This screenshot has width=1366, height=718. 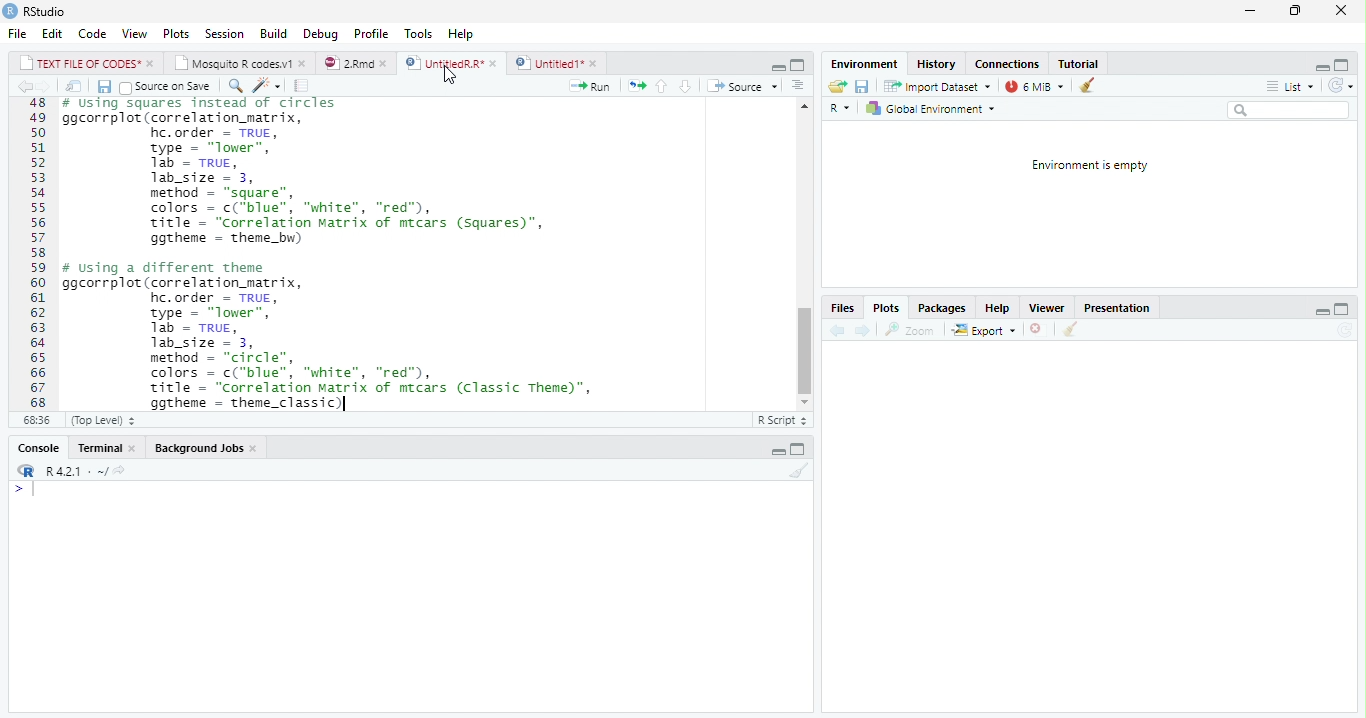 What do you see at coordinates (235, 87) in the screenshot?
I see `find/replace` at bounding box center [235, 87].